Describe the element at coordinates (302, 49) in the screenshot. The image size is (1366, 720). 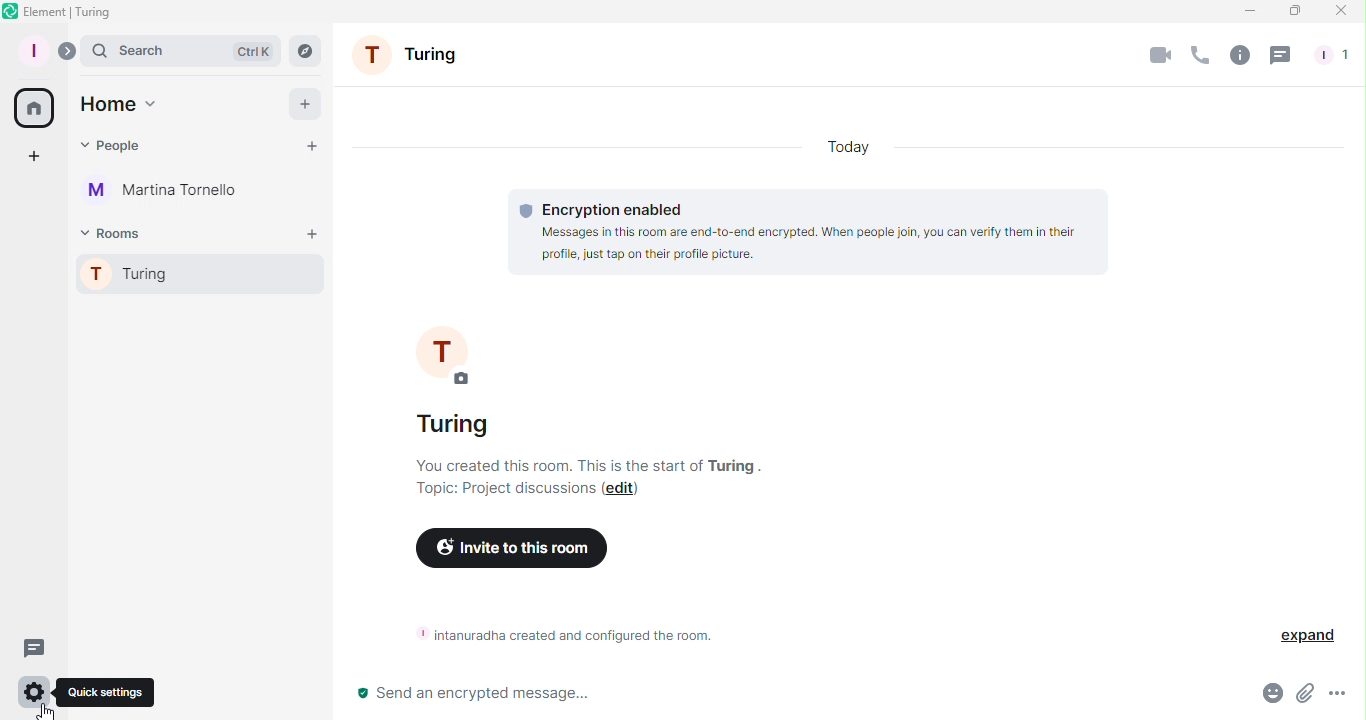
I see `Search rooms` at that location.